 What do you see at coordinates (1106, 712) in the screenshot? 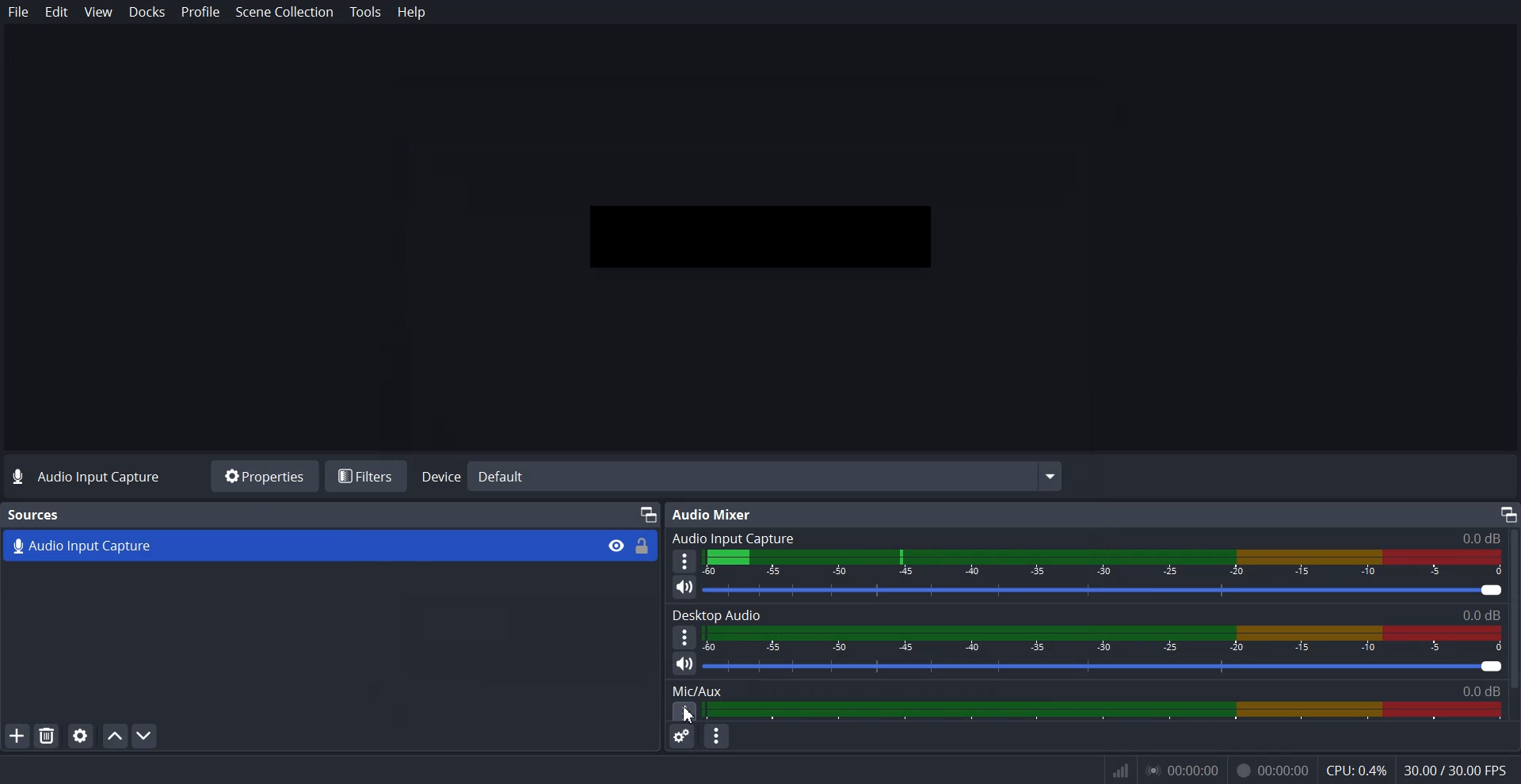
I see `Sound Panel` at bounding box center [1106, 712].